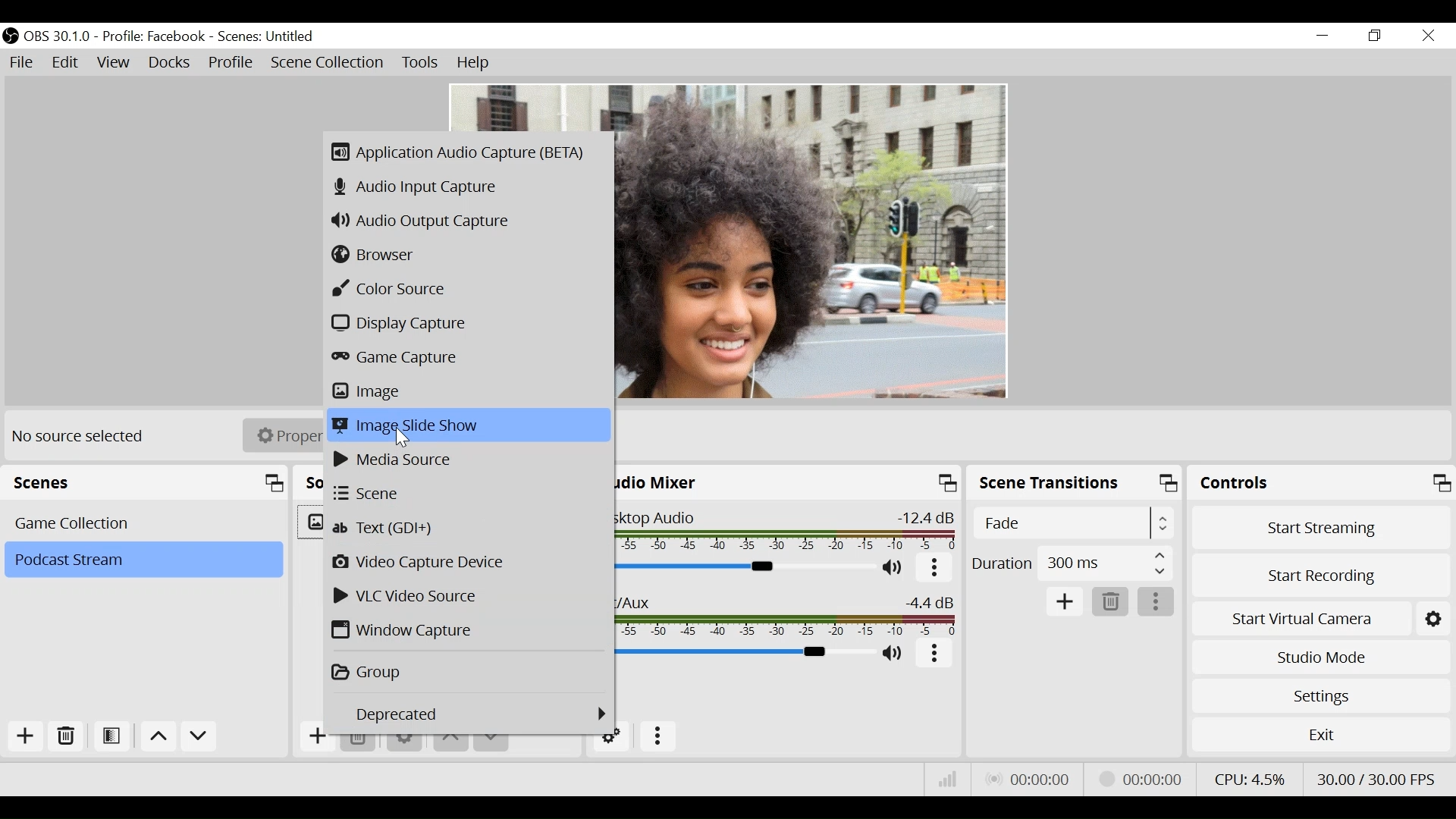 This screenshot has height=819, width=1456. Describe the element at coordinates (1027, 780) in the screenshot. I see `Live Status` at that location.